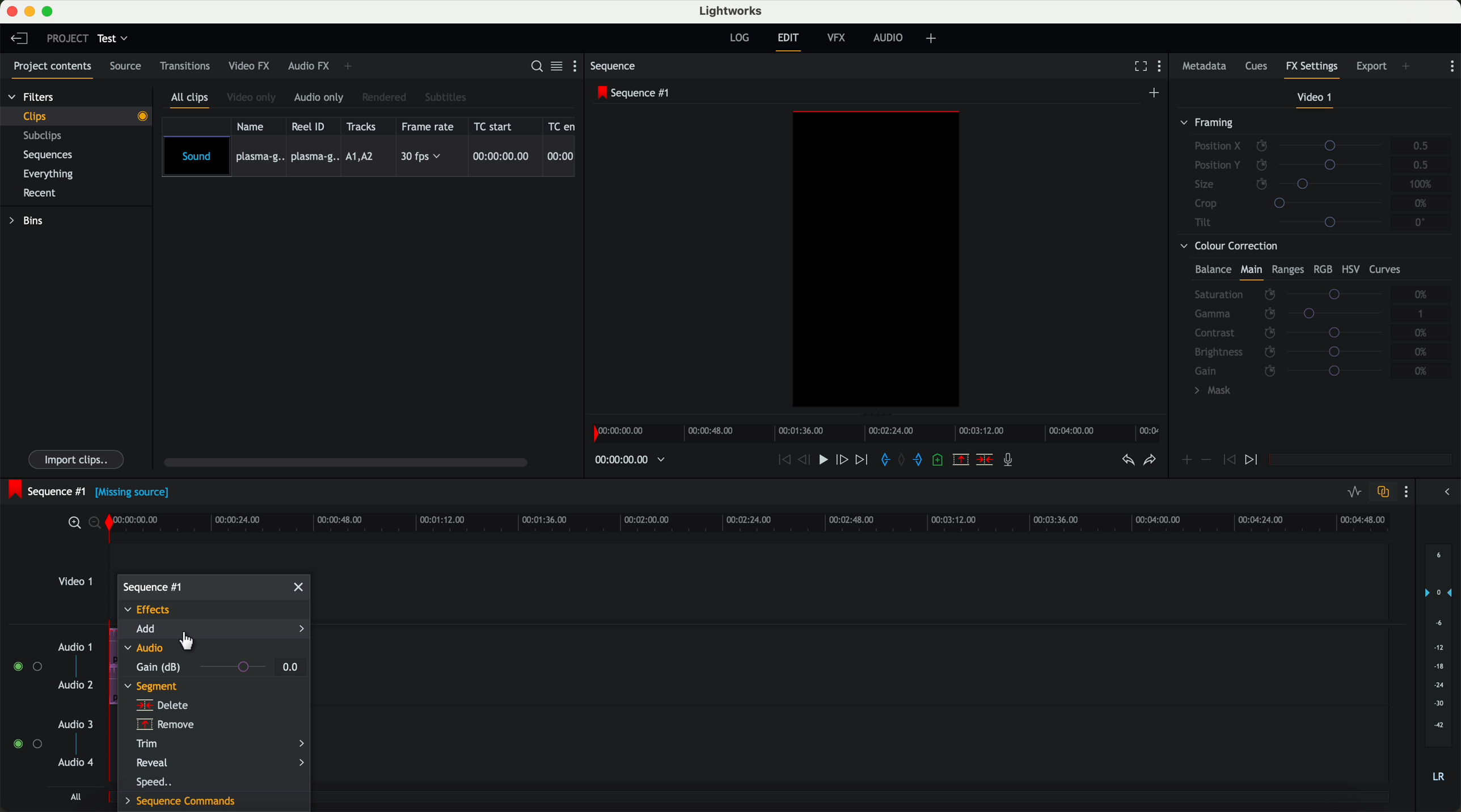 Image resolution: width=1461 pixels, height=812 pixels. Describe the element at coordinates (1370, 65) in the screenshot. I see `export` at that location.